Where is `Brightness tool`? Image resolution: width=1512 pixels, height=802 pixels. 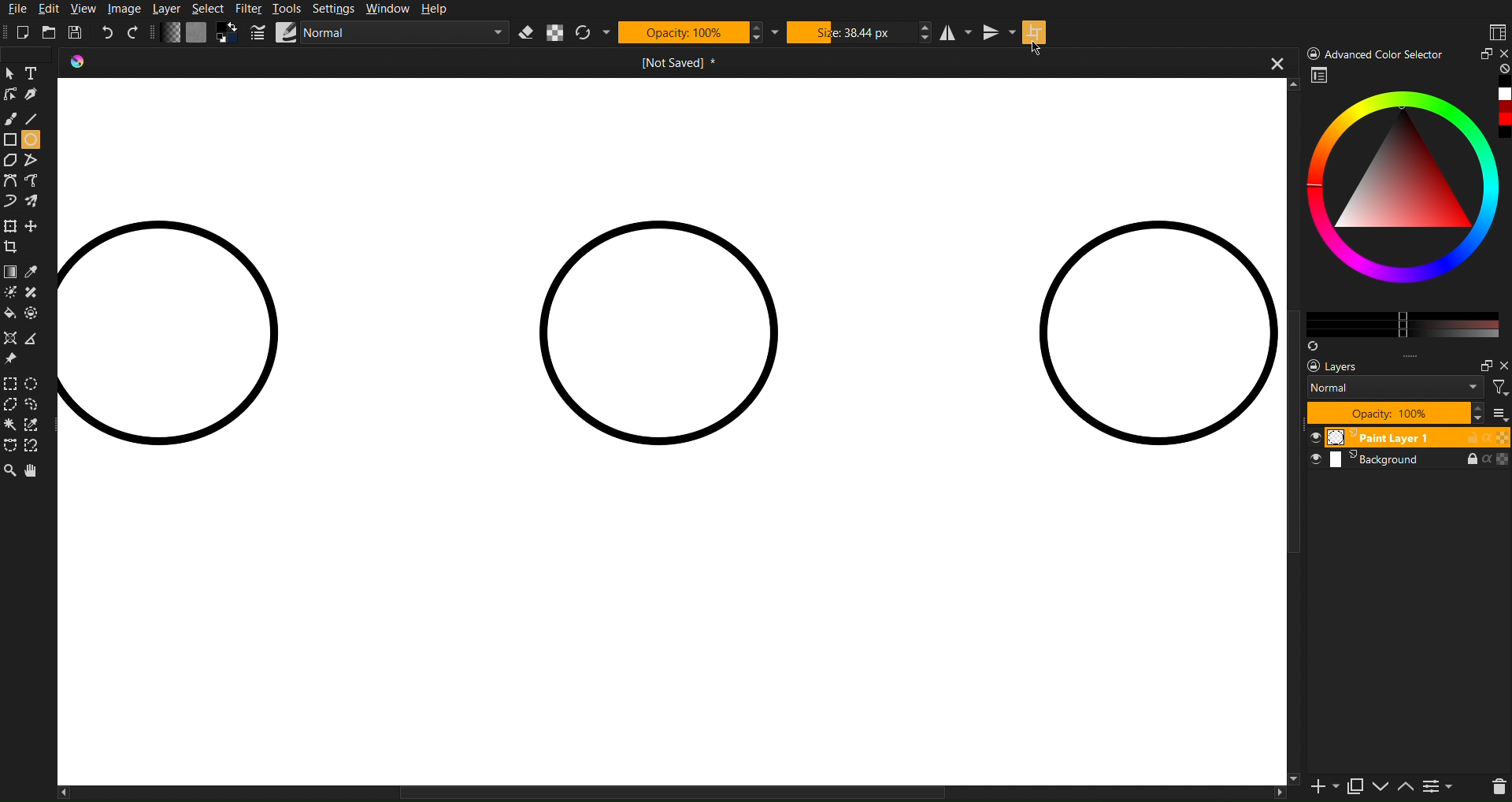 Brightness tool is located at coordinates (9, 295).